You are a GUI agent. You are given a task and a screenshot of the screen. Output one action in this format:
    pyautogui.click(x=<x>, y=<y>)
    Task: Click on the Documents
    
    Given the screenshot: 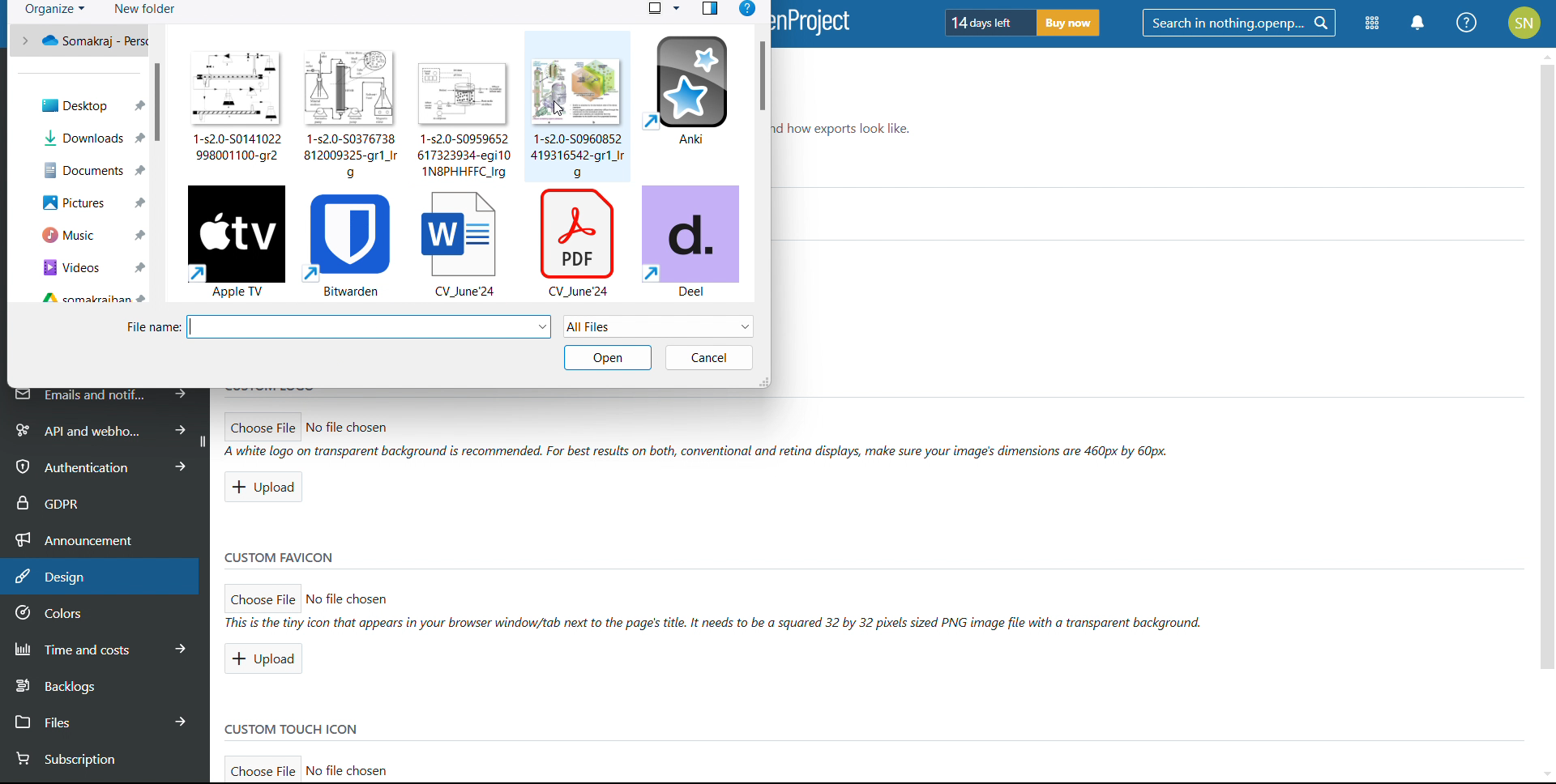 What is the action you would take?
    pyautogui.click(x=86, y=172)
    